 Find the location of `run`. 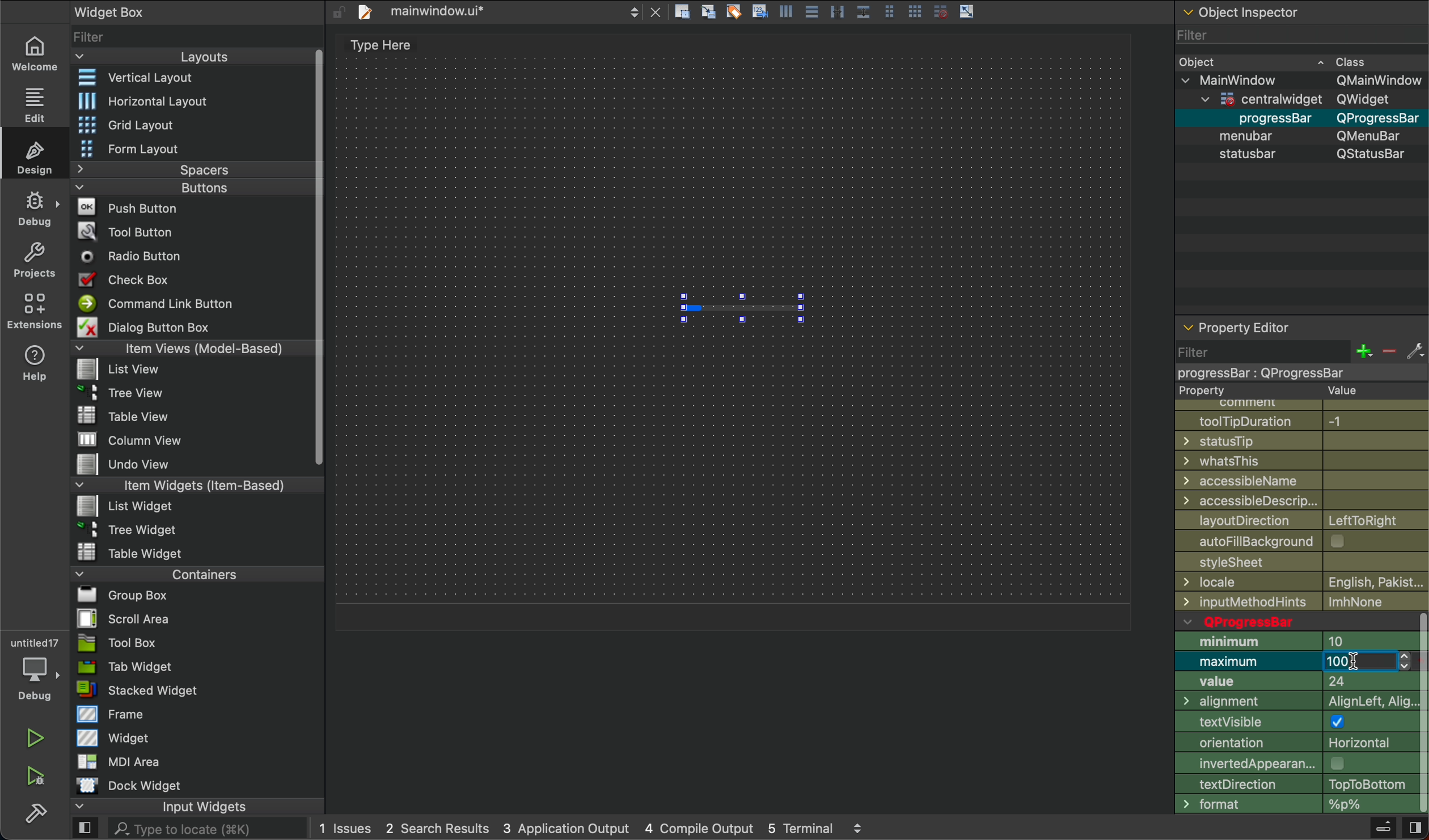

run is located at coordinates (36, 738).